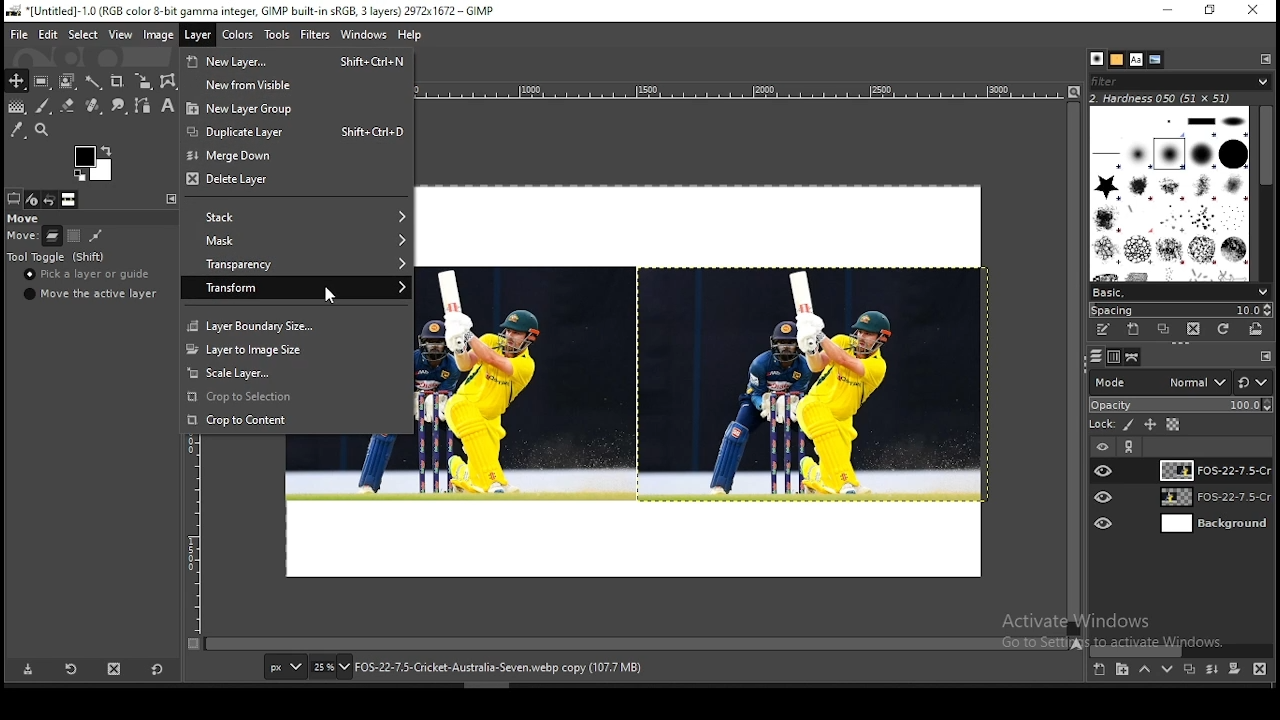 This screenshot has width=1280, height=720. I want to click on lock pixels, so click(1130, 427).